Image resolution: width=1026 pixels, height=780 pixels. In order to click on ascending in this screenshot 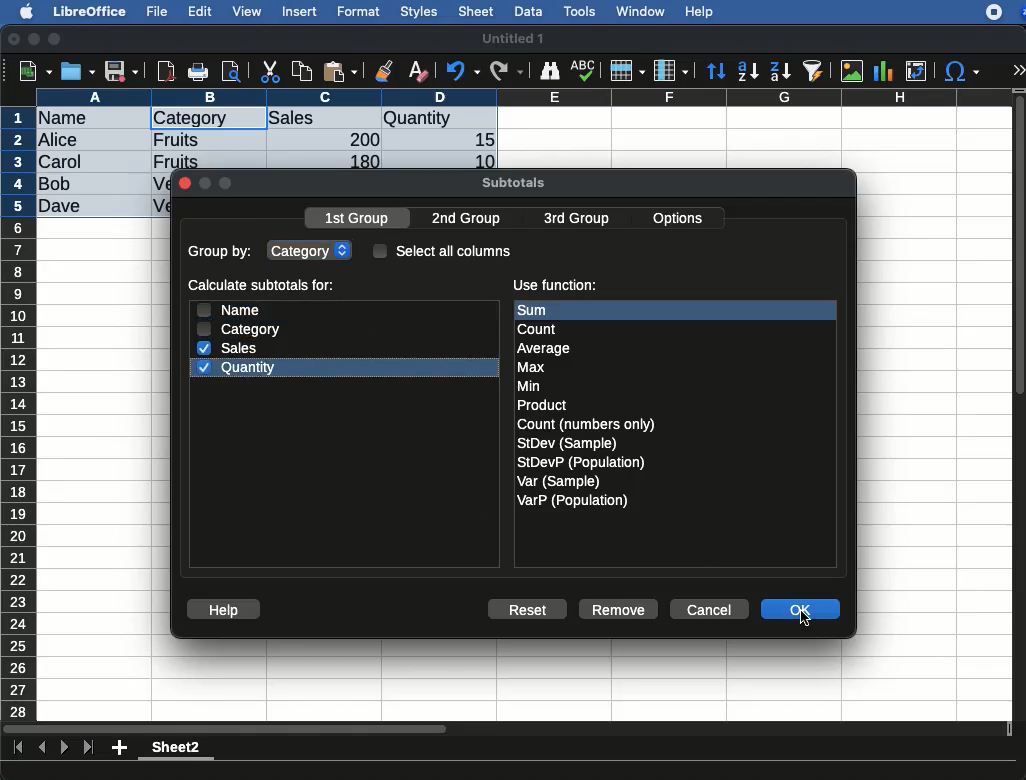, I will do `click(748, 70)`.